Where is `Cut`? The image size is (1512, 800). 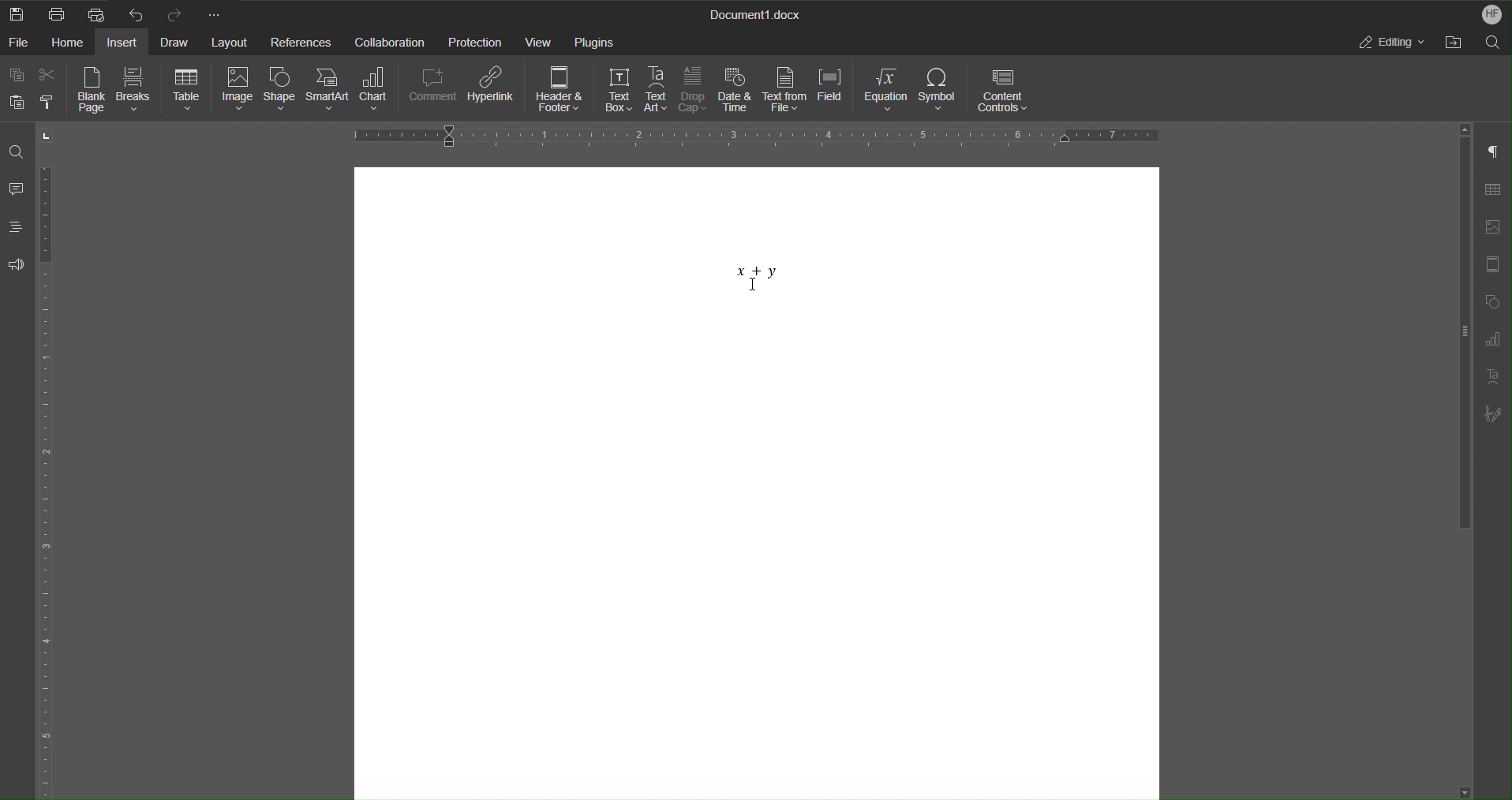 Cut is located at coordinates (48, 75).